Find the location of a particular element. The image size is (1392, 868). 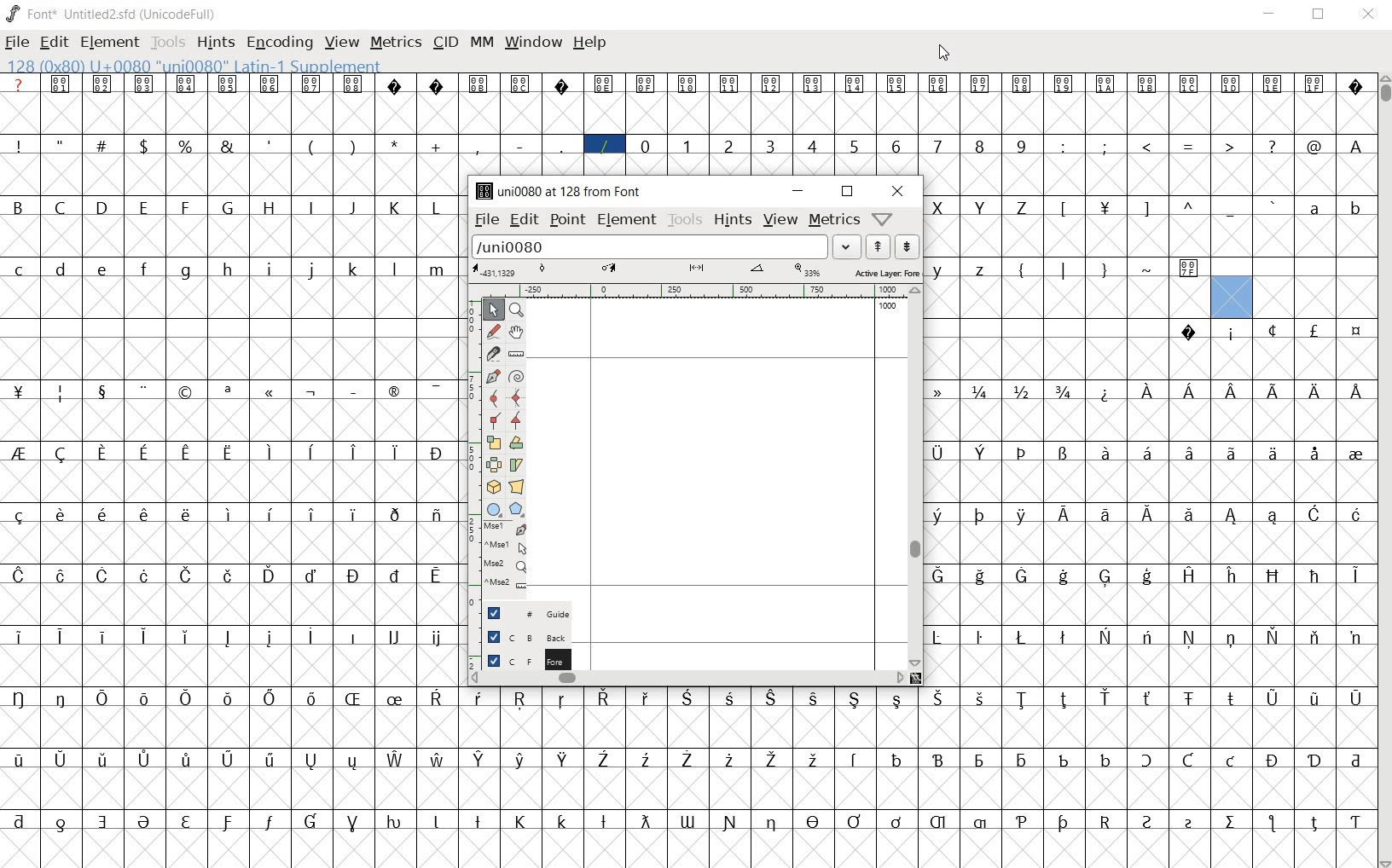

glyph is located at coordinates (437, 516).